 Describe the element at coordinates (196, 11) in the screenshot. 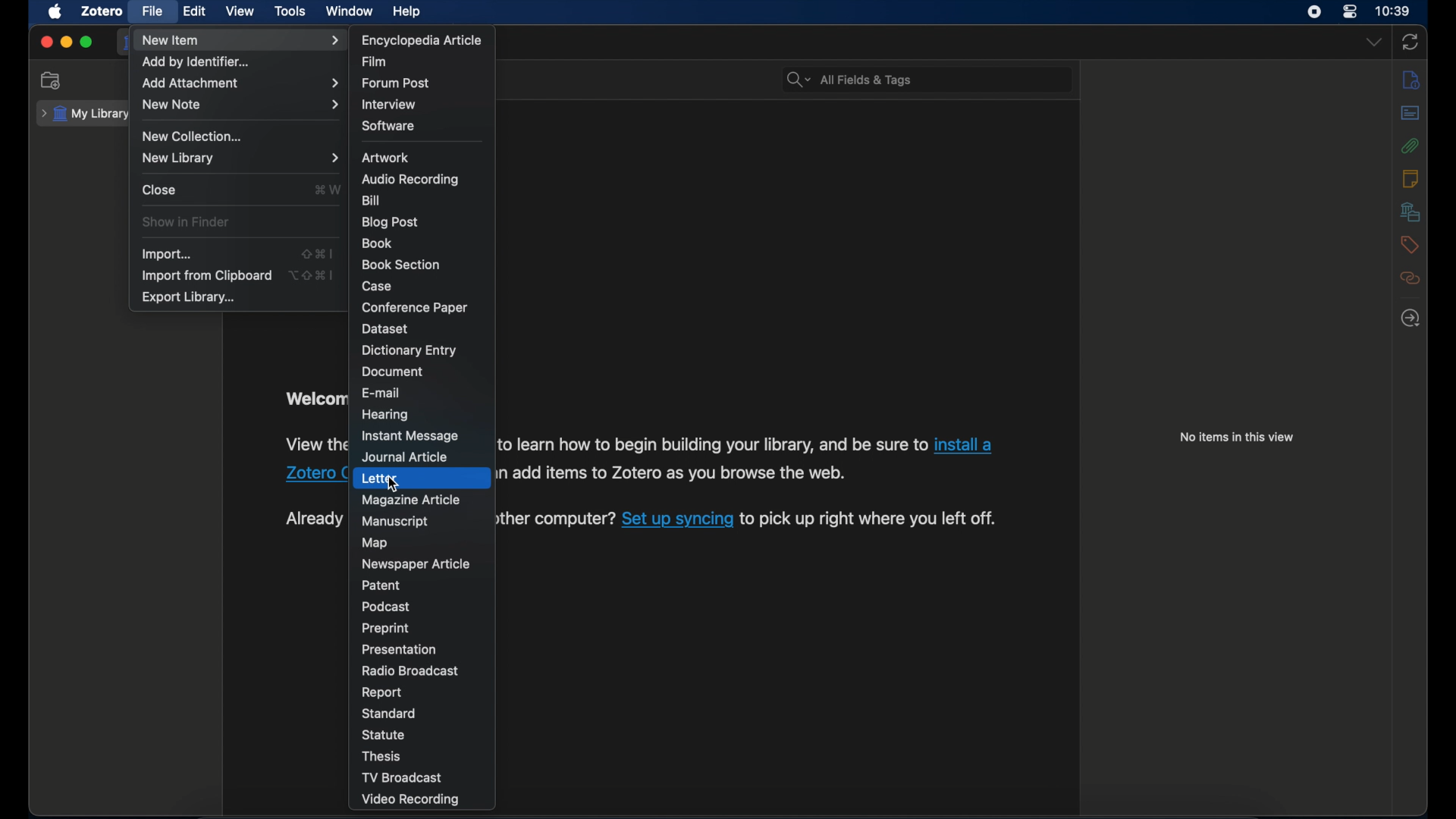

I see `edit` at that location.